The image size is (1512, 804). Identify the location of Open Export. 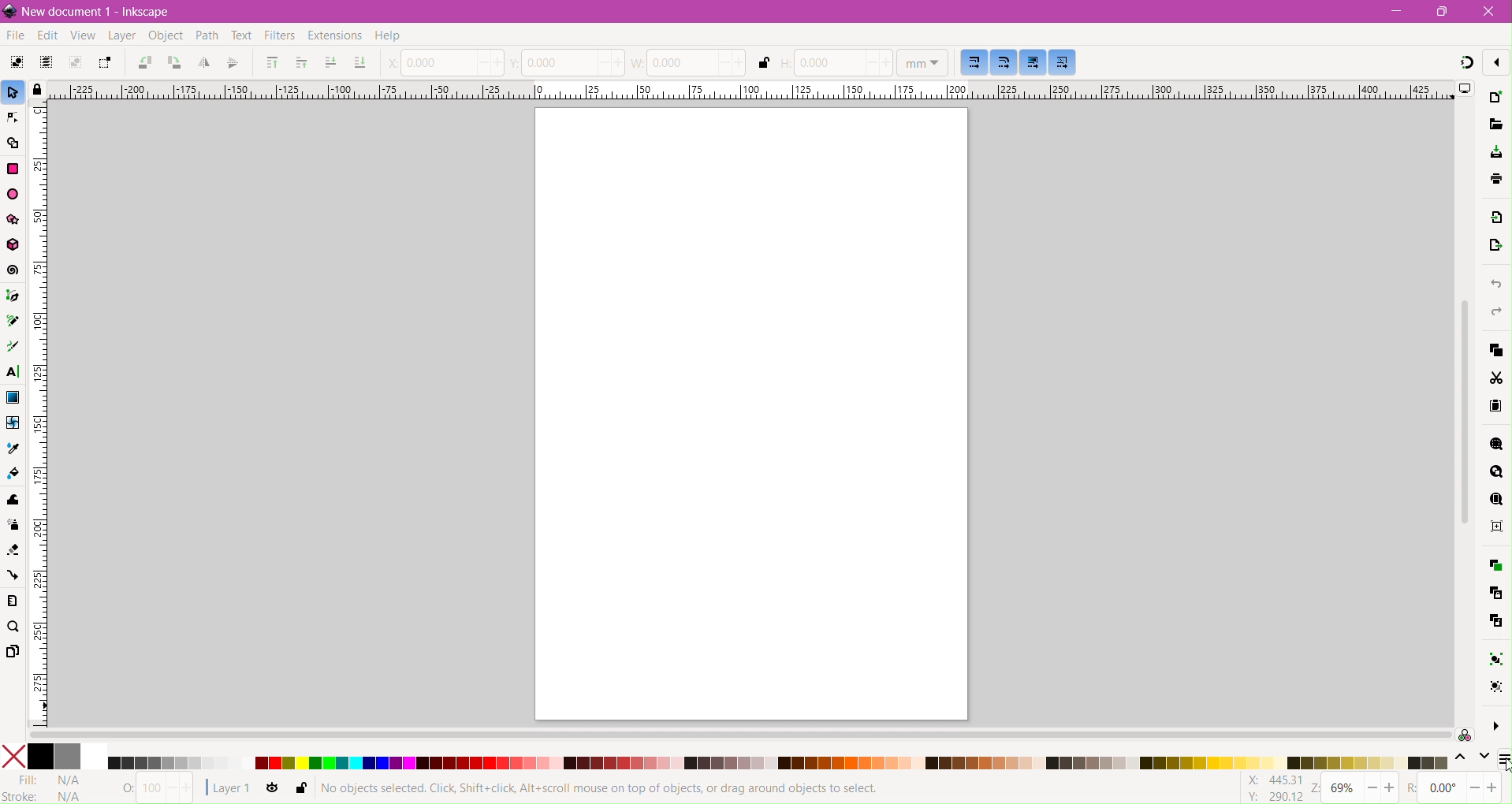
(1494, 248).